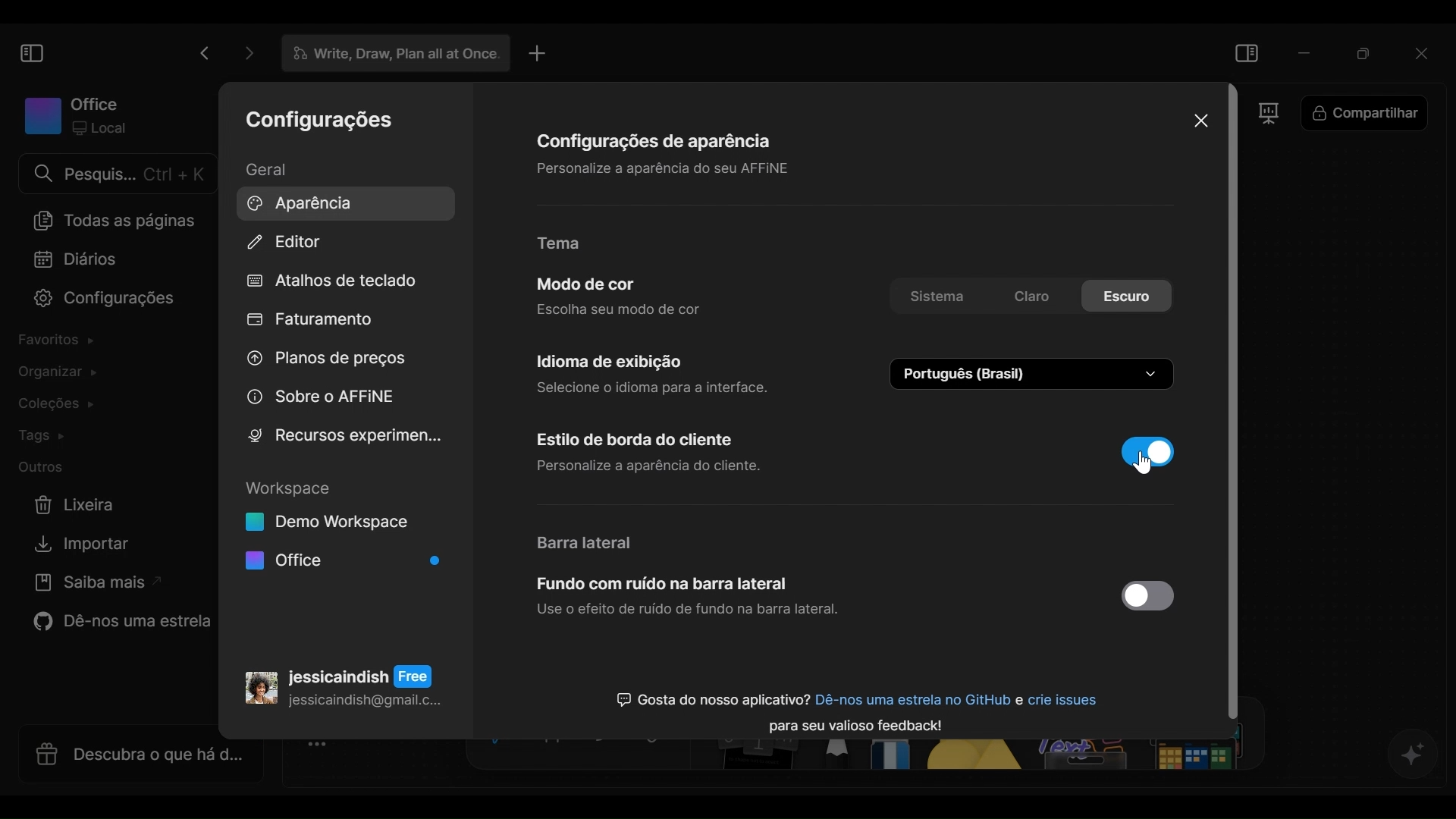 This screenshot has height=819, width=1456. I want to click on Show/Hide Sidebar, so click(30, 52).